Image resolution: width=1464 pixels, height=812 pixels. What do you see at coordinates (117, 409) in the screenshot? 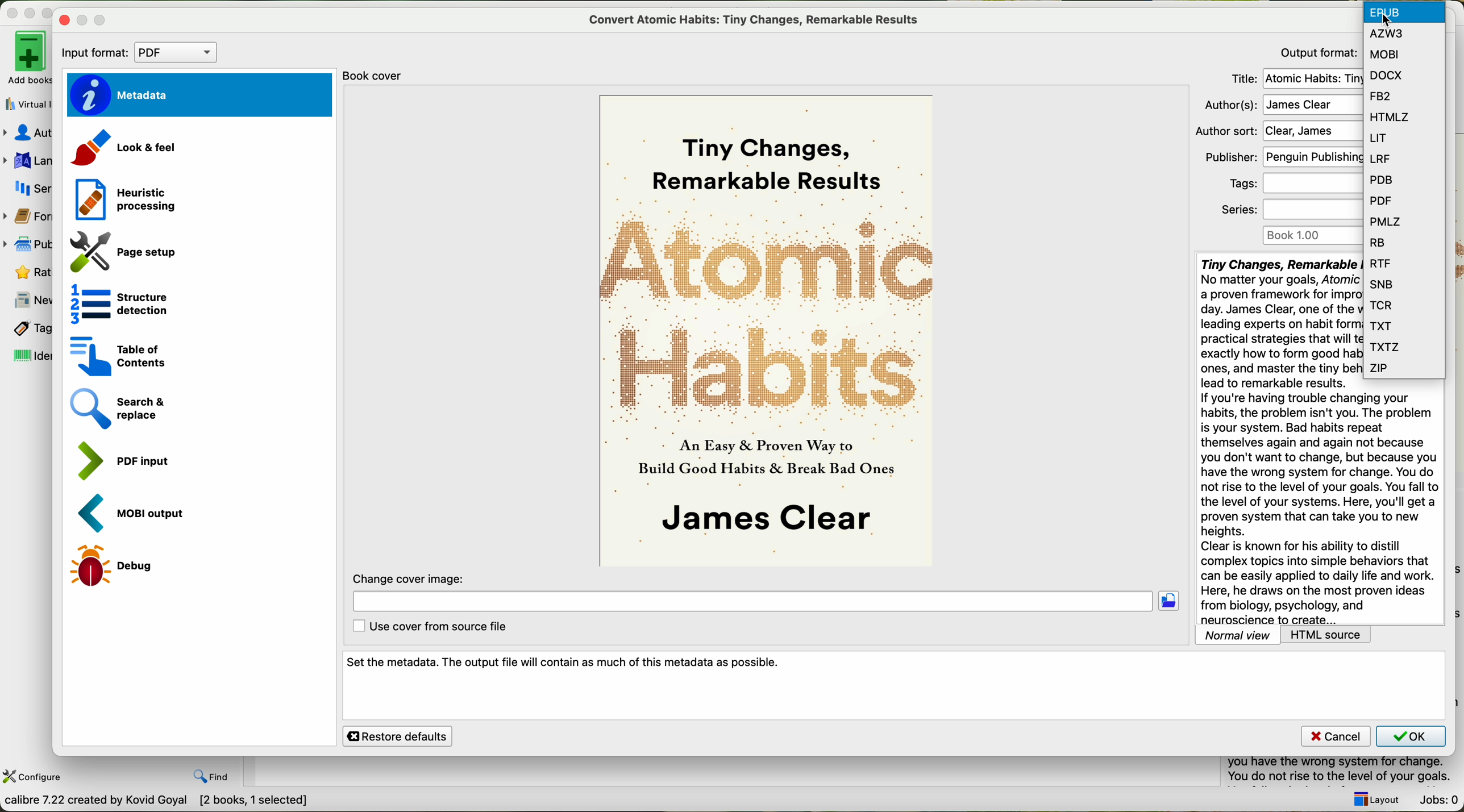
I see `search and replace` at bounding box center [117, 409].